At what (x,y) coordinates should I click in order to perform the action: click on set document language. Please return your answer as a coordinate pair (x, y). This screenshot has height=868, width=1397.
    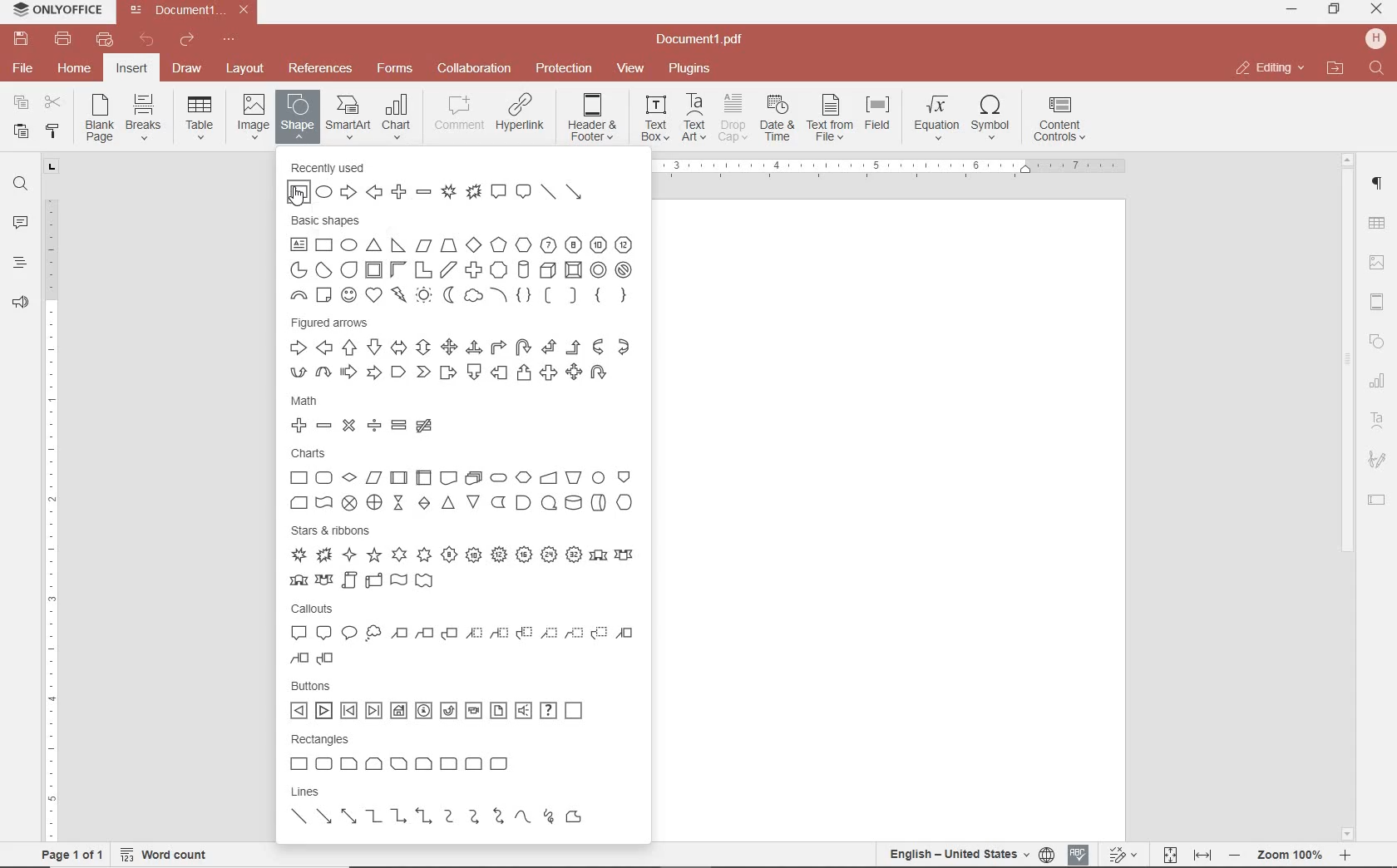
    Looking at the image, I should click on (970, 854).